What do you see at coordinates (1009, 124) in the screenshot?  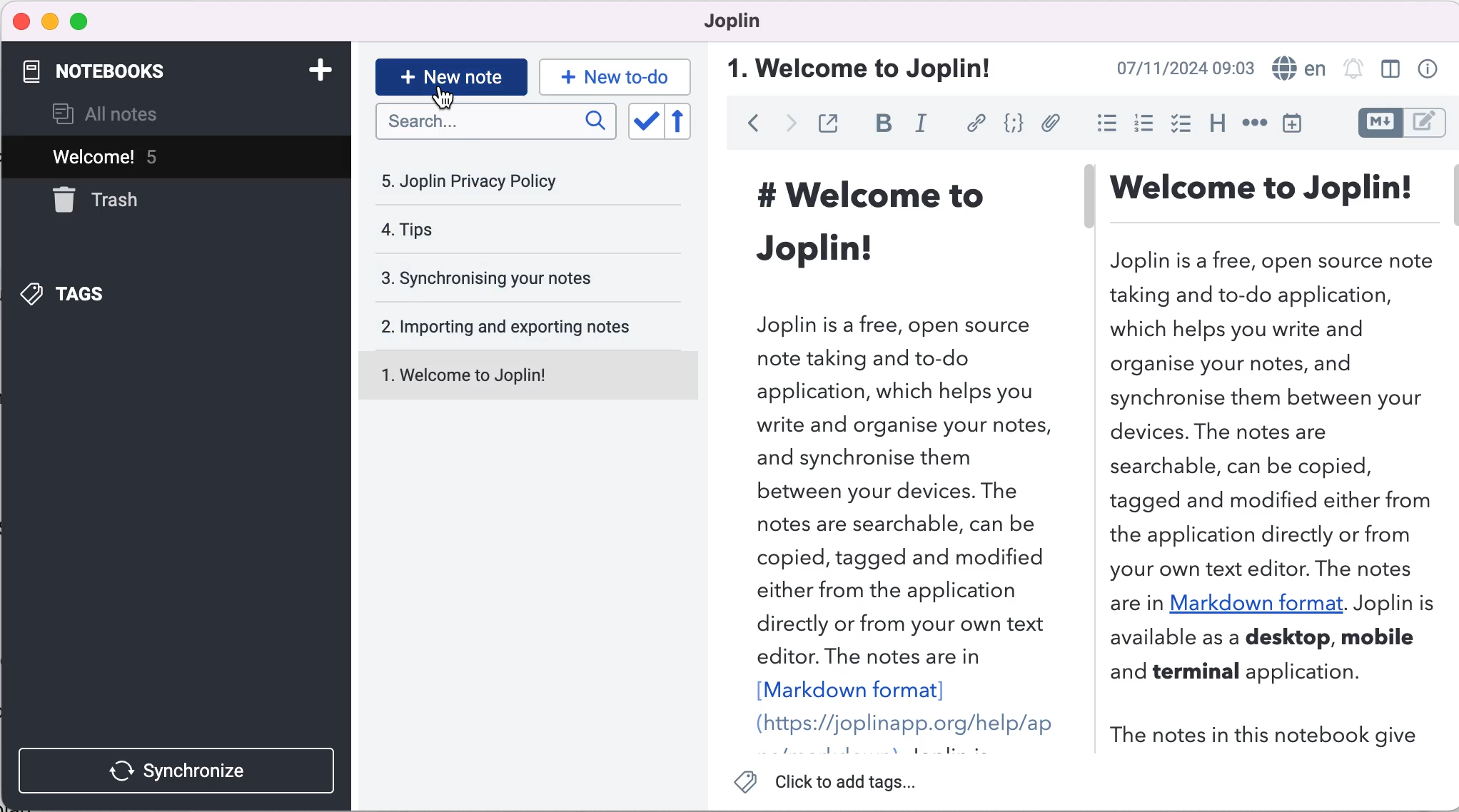 I see `code` at bounding box center [1009, 124].